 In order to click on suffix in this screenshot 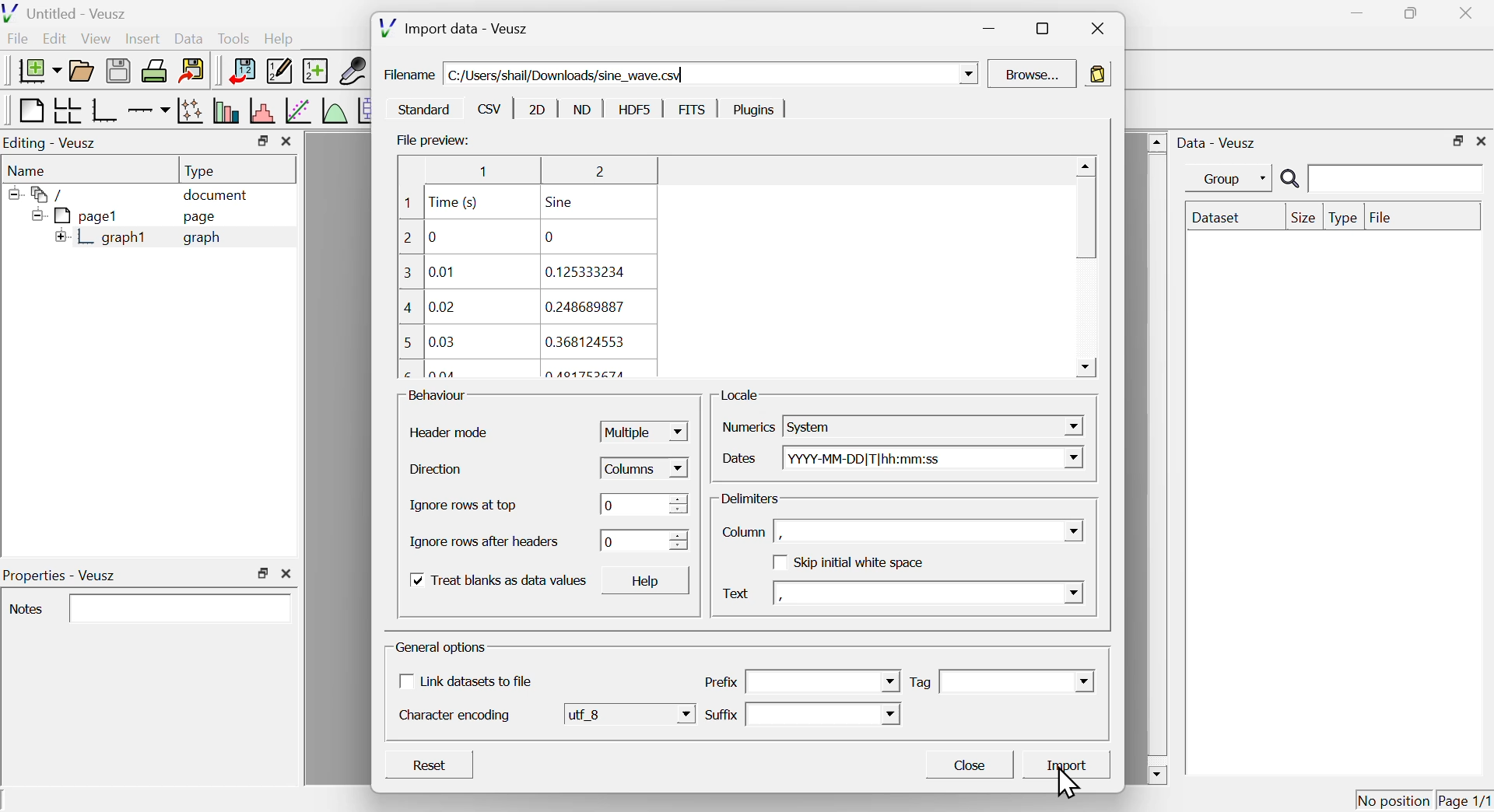, I will do `click(721, 715)`.